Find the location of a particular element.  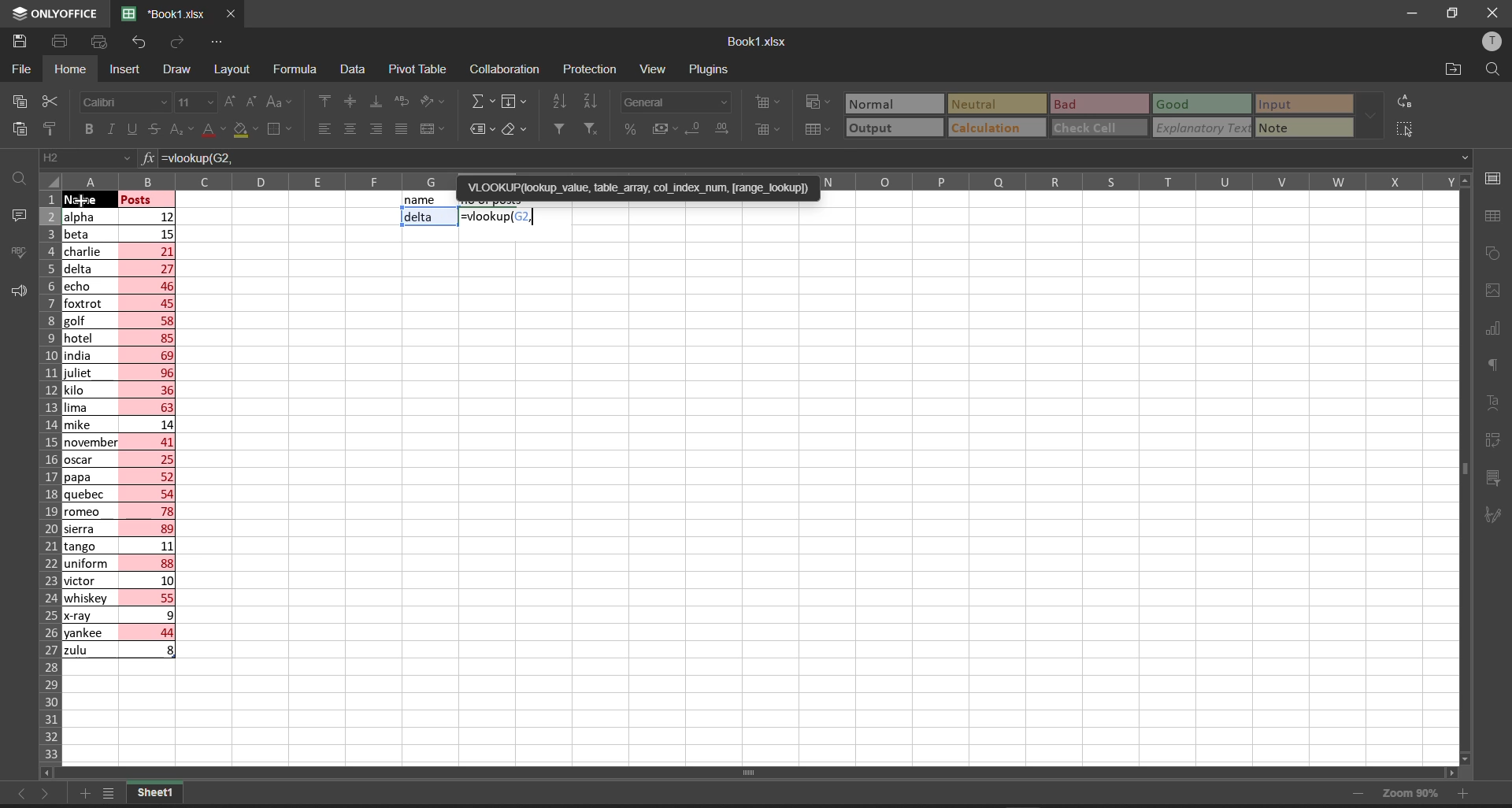

spell checking is located at coordinates (15, 252).